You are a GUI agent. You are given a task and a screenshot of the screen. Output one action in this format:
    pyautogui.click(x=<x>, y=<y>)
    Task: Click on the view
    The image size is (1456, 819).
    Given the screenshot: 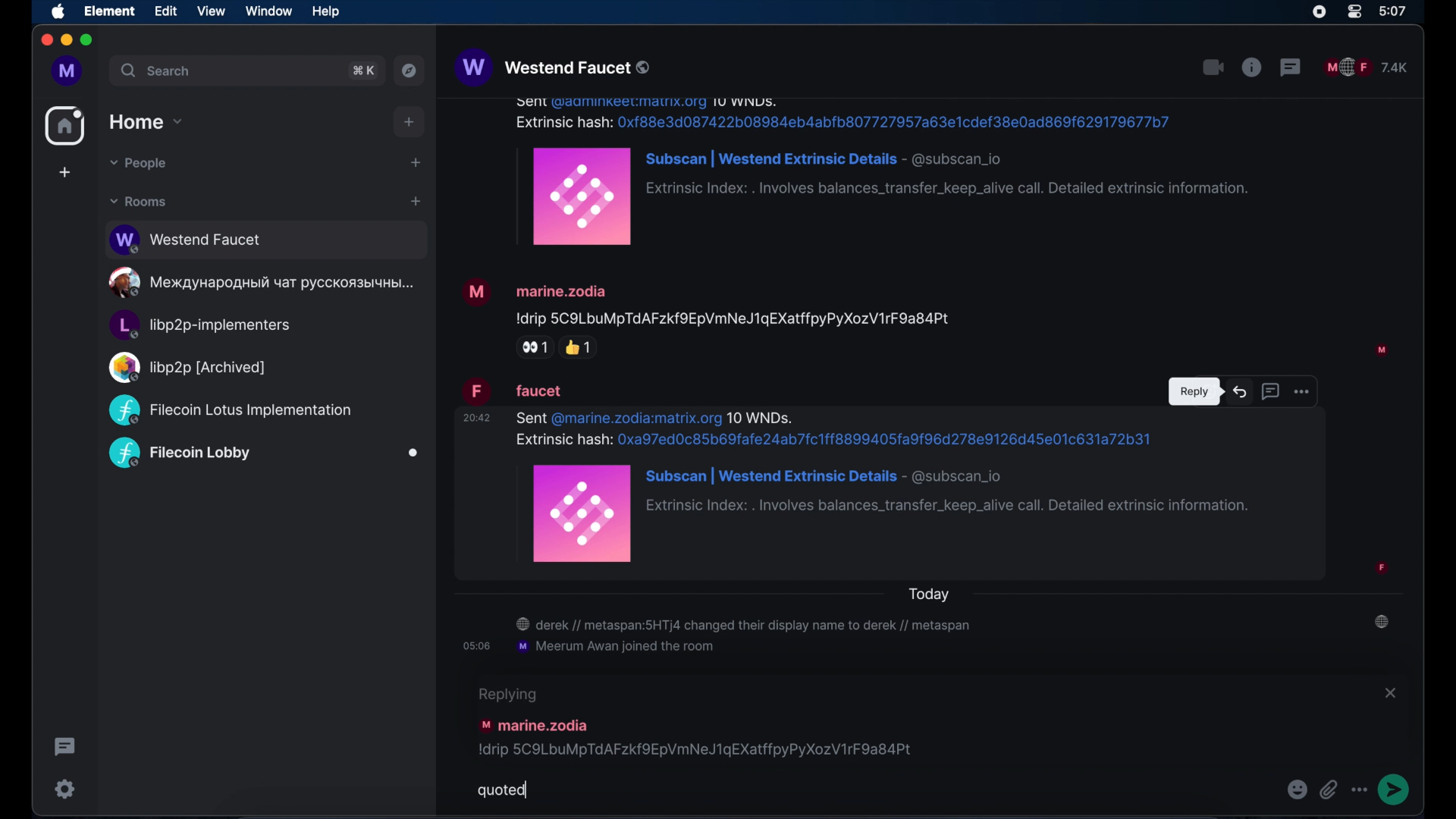 What is the action you would take?
    pyautogui.click(x=210, y=11)
    